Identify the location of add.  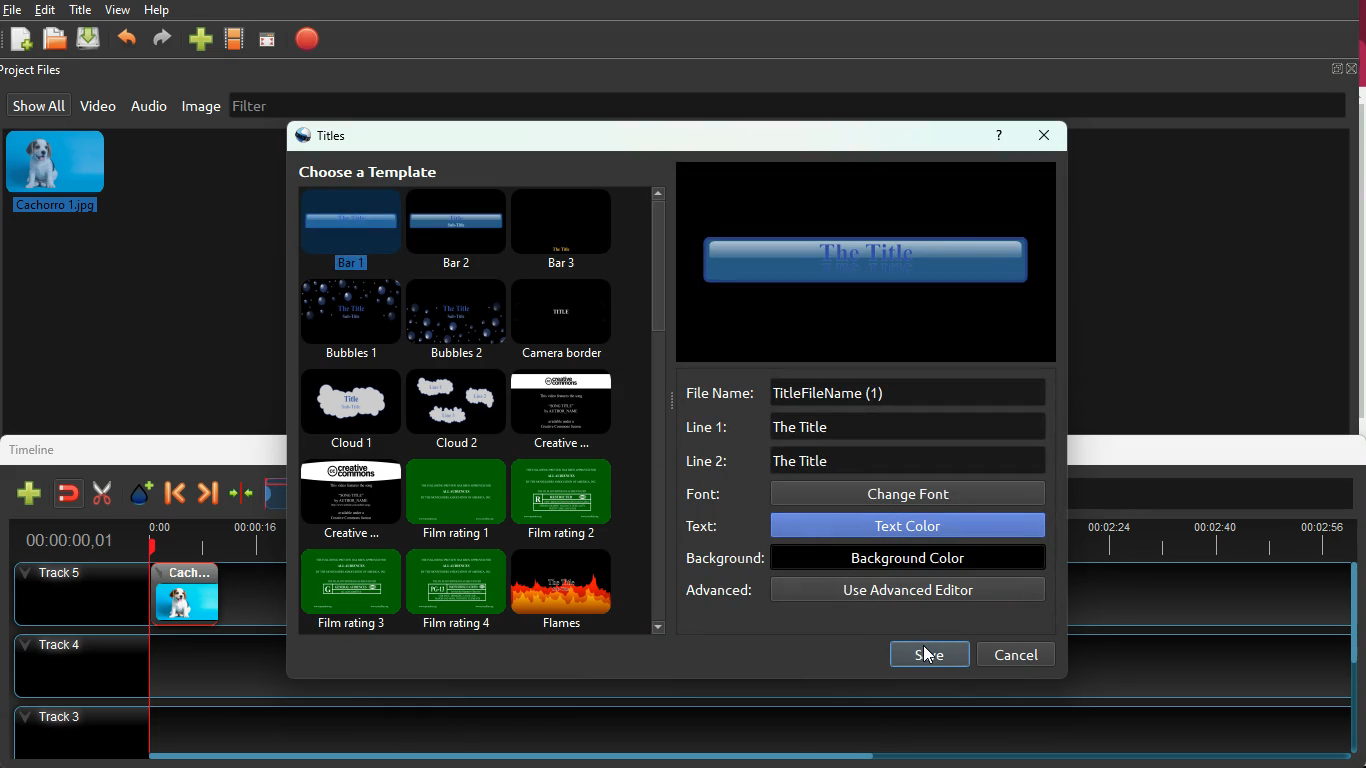
(25, 494).